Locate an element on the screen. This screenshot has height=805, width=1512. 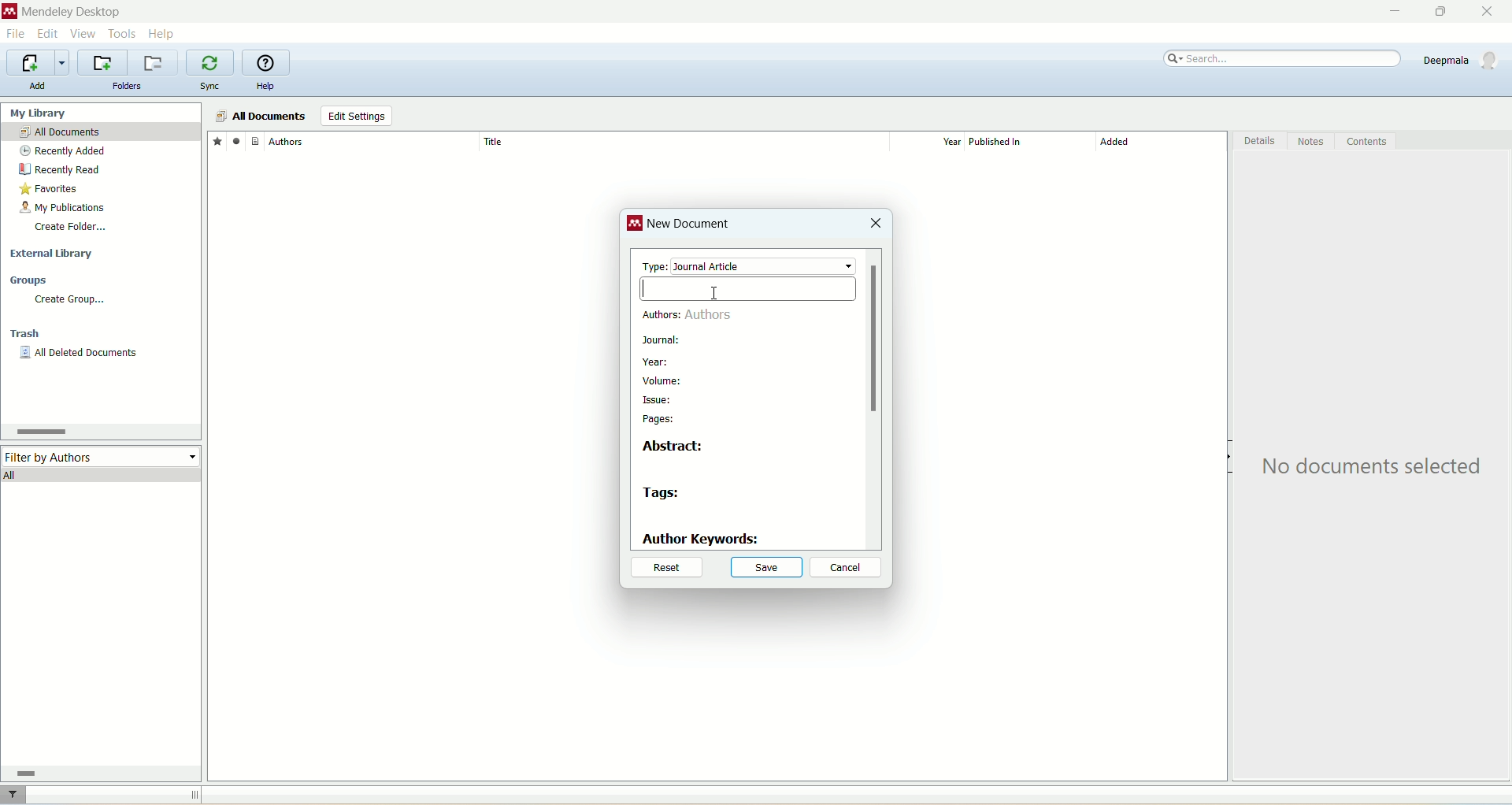
create group is located at coordinates (69, 299).